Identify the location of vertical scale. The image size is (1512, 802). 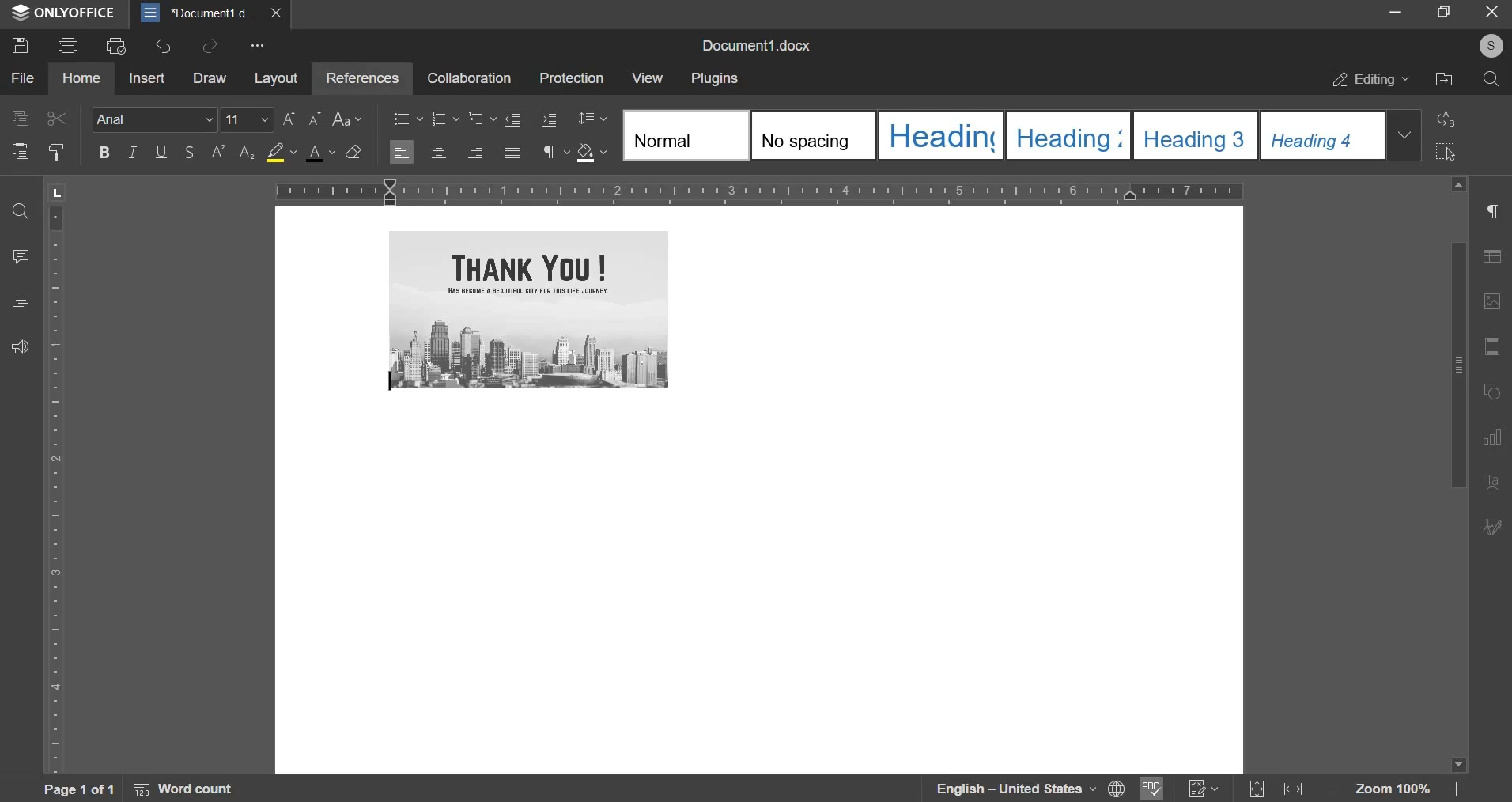
(57, 487).